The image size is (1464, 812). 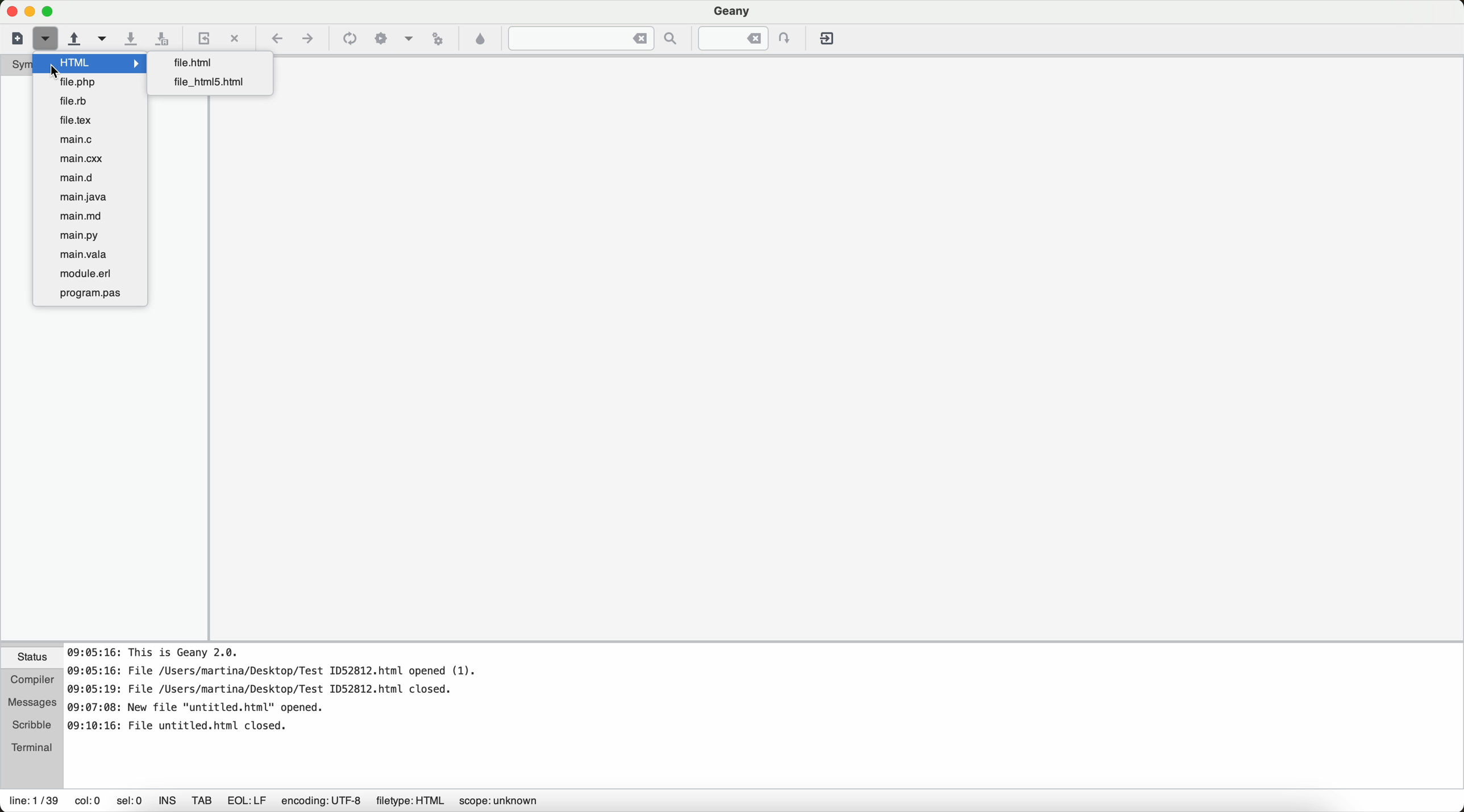 What do you see at coordinates (748, 39) in the screenshot?
I see `jump to the entered line numbered` at bounding box center [748, 39].